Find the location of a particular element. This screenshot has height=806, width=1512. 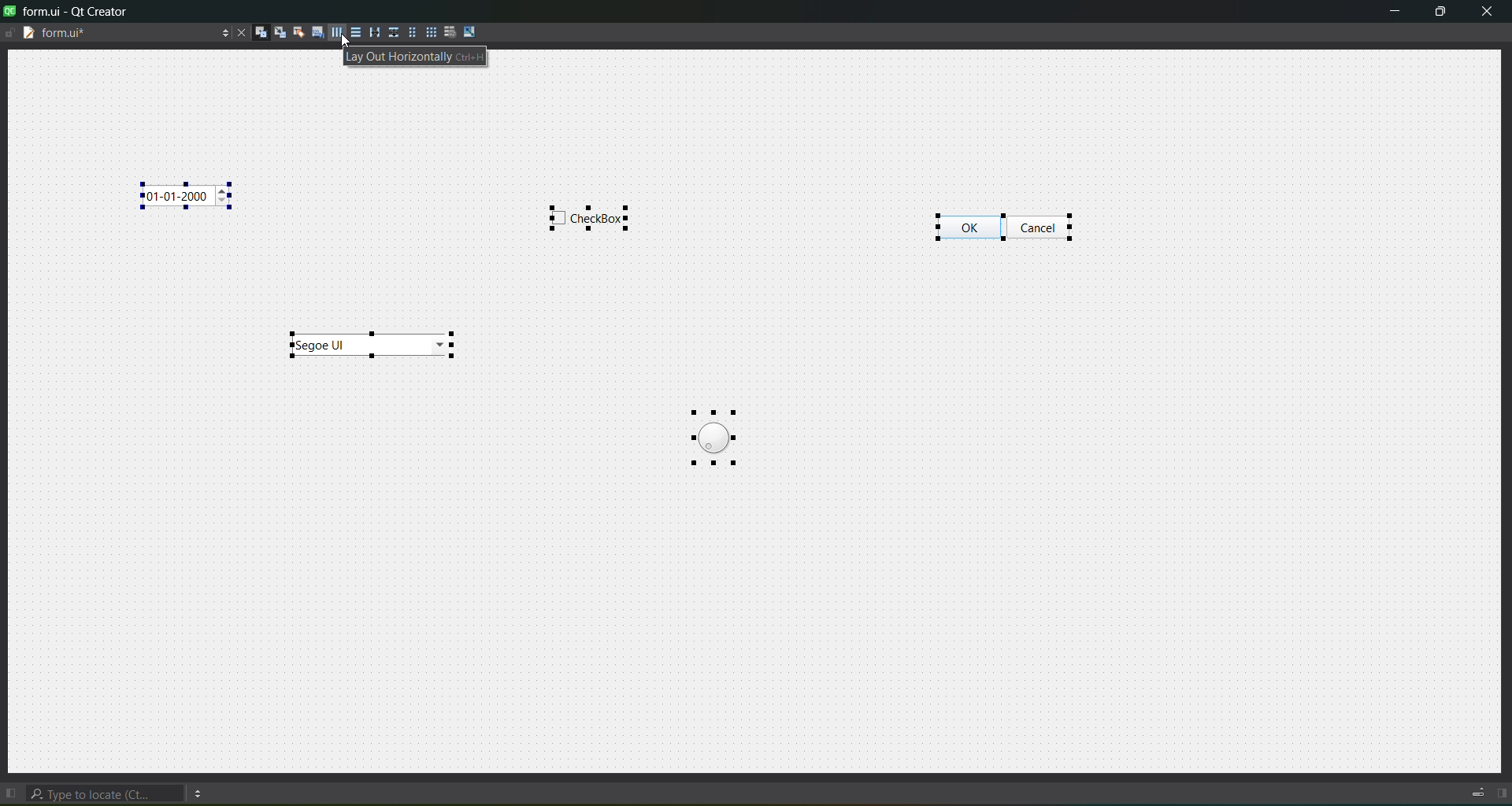

show left pane is located at coordinates (10, 789).